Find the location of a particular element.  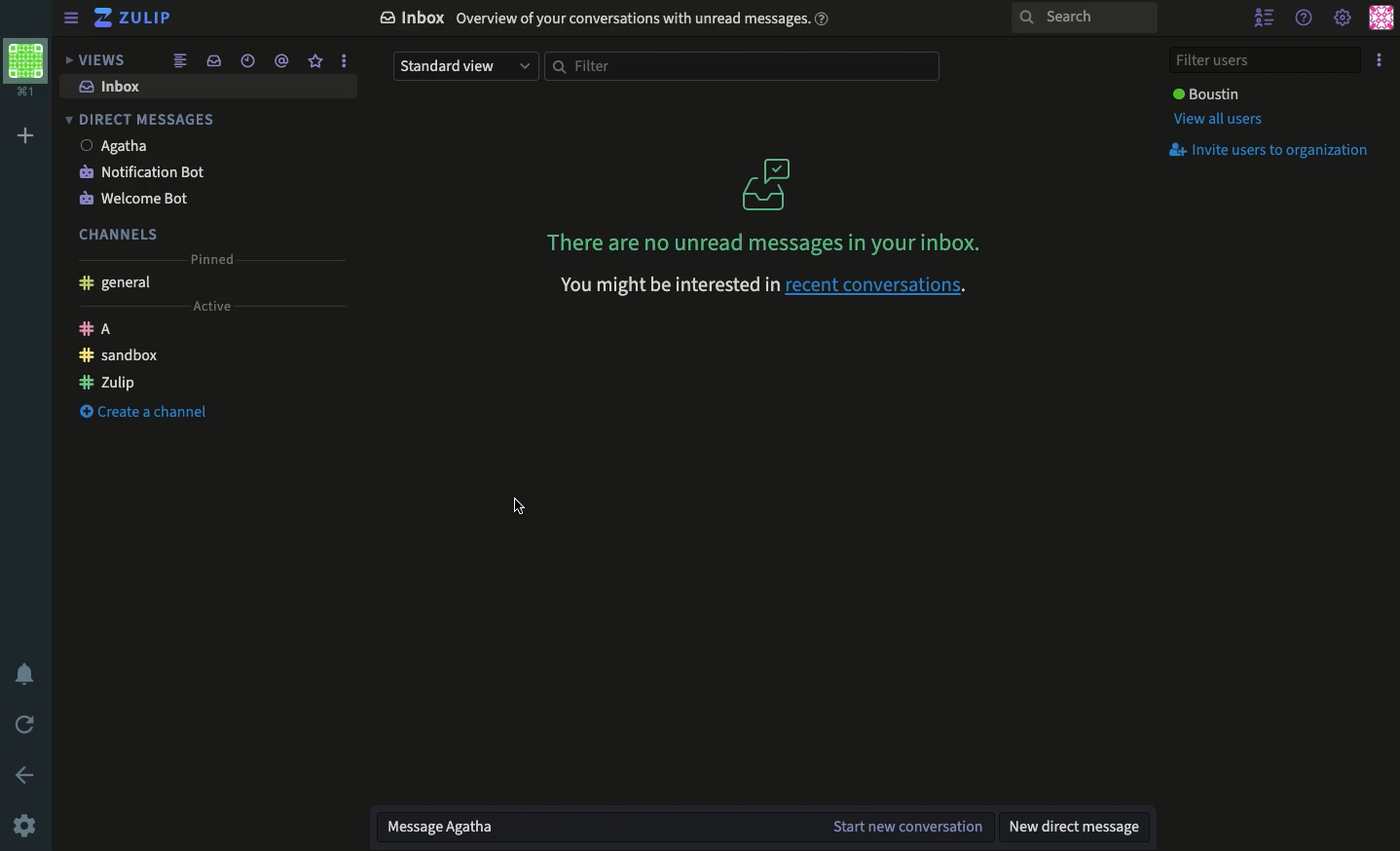

Settings is located at coordinates (26, 825).